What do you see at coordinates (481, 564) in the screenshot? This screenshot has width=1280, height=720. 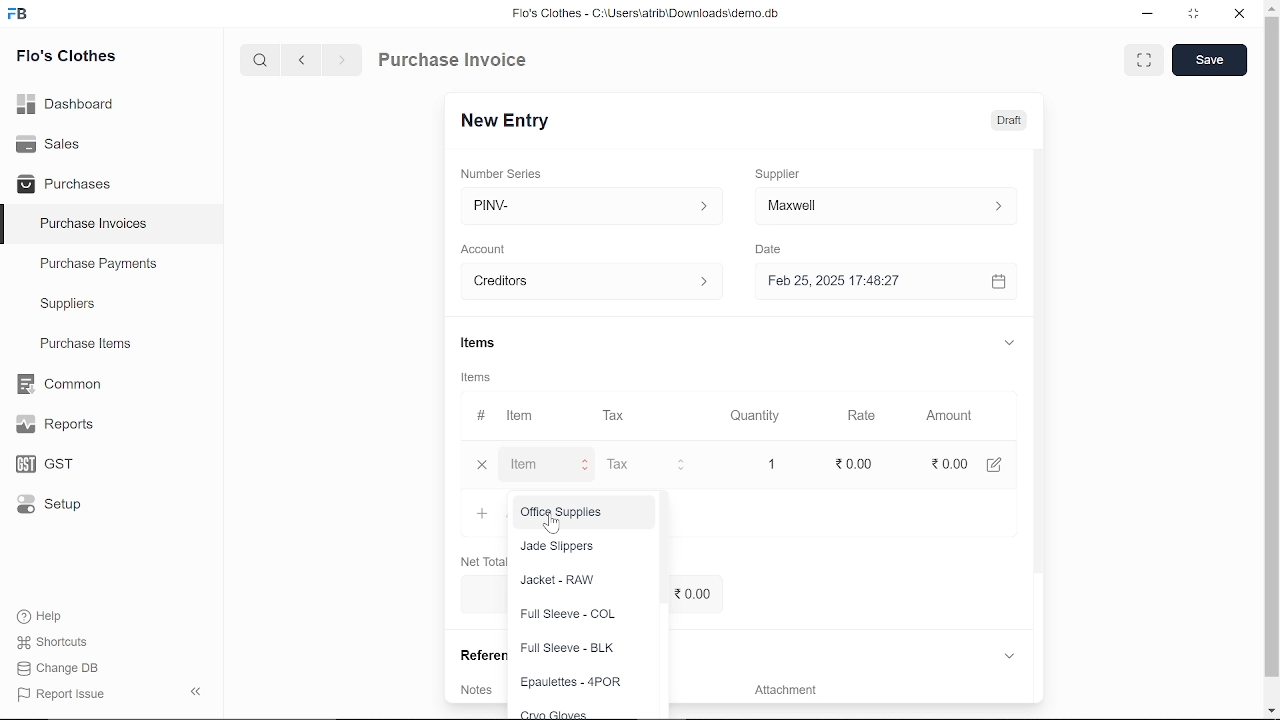 I see `Net Total` at bounding box center [481, 564].